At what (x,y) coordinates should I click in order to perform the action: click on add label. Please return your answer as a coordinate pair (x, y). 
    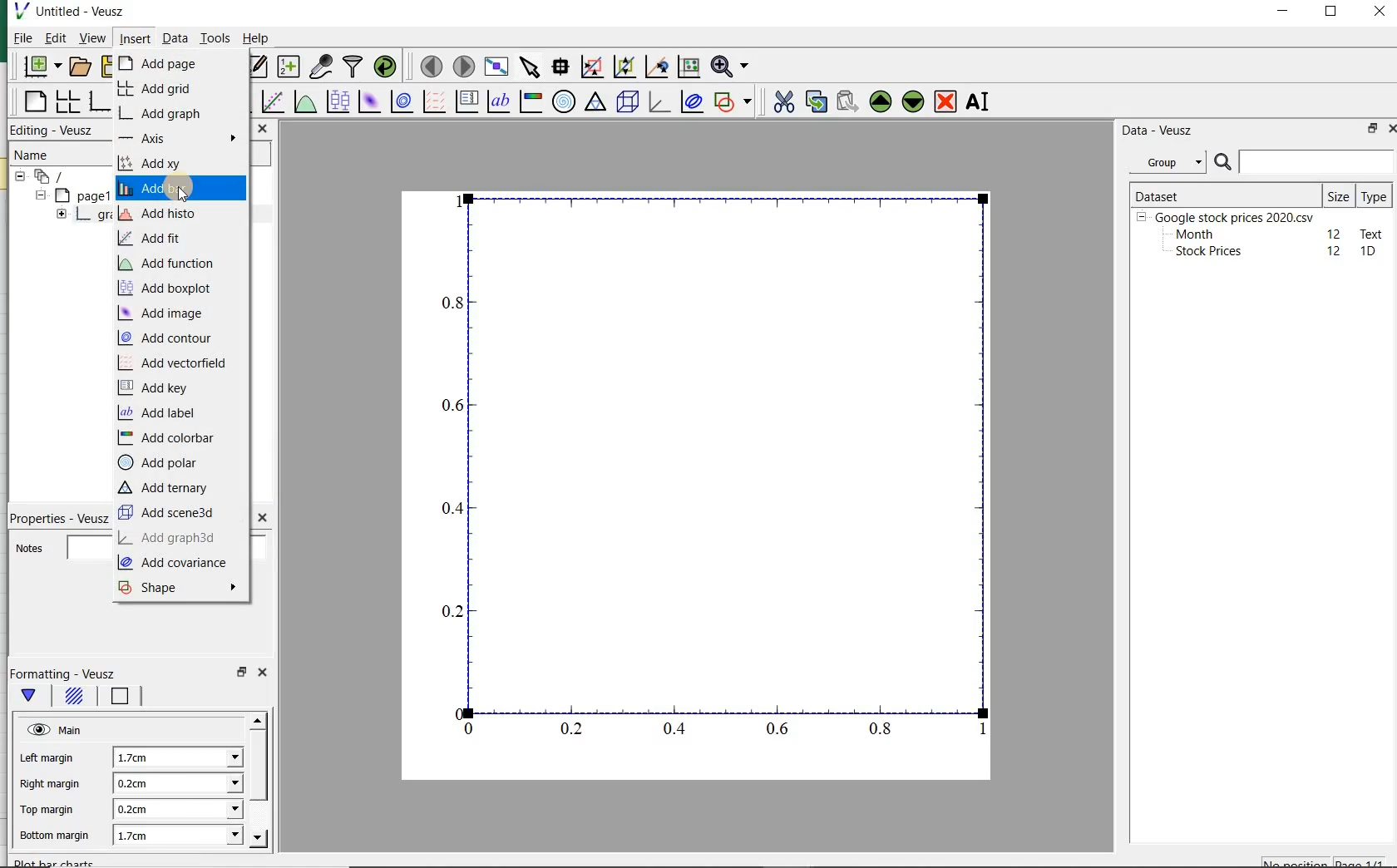
    Looking at the image, I should click on (164, 413).